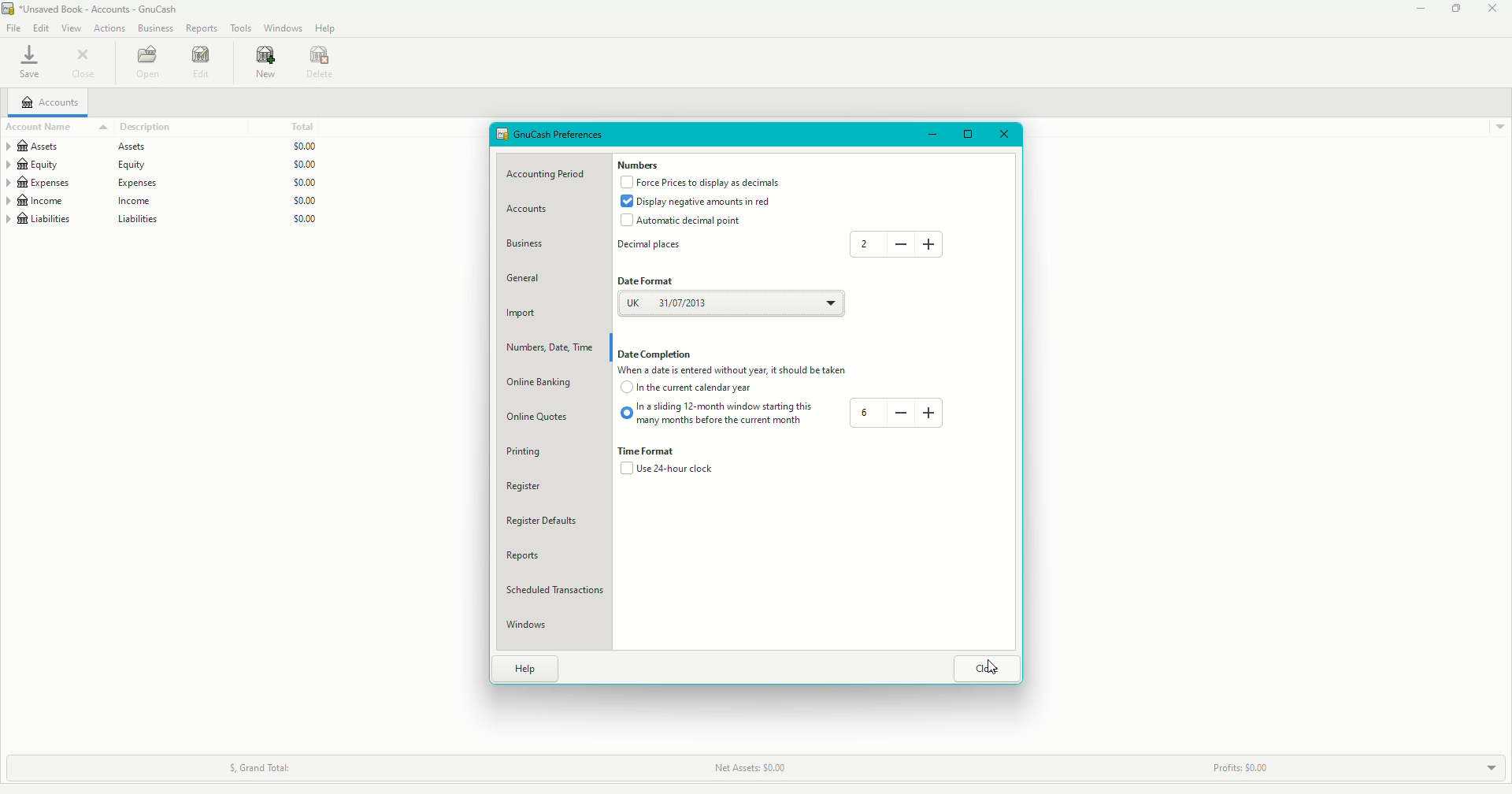 Image resolution: width=1512 pixels, height=794 pixels. Describe the element at coordinates (1003, 133) in the screenshot. I see `Close` at that location.